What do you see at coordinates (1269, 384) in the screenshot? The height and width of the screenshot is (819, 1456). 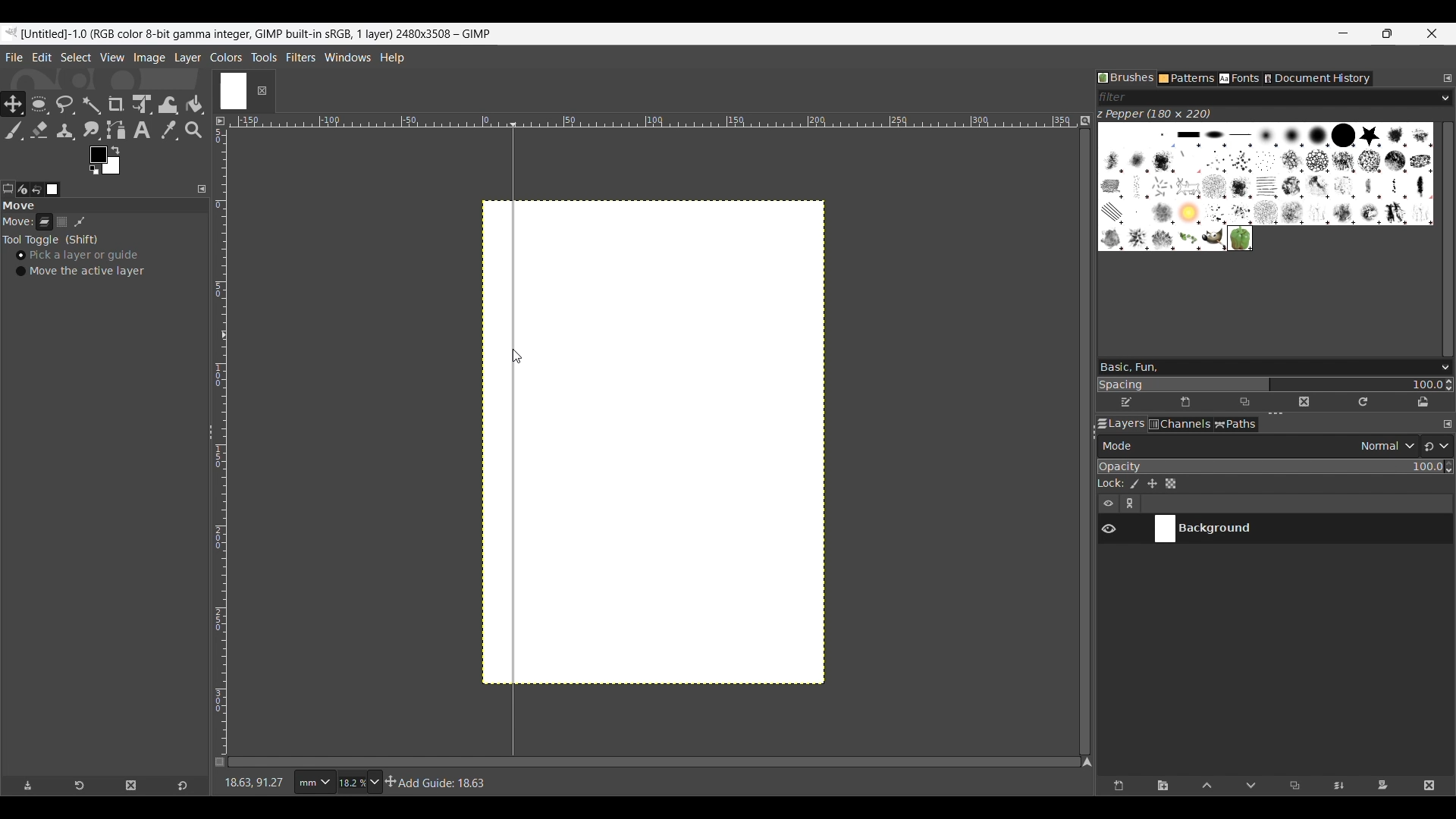 I see `Change spacing` at bounding box center [1269, 384].